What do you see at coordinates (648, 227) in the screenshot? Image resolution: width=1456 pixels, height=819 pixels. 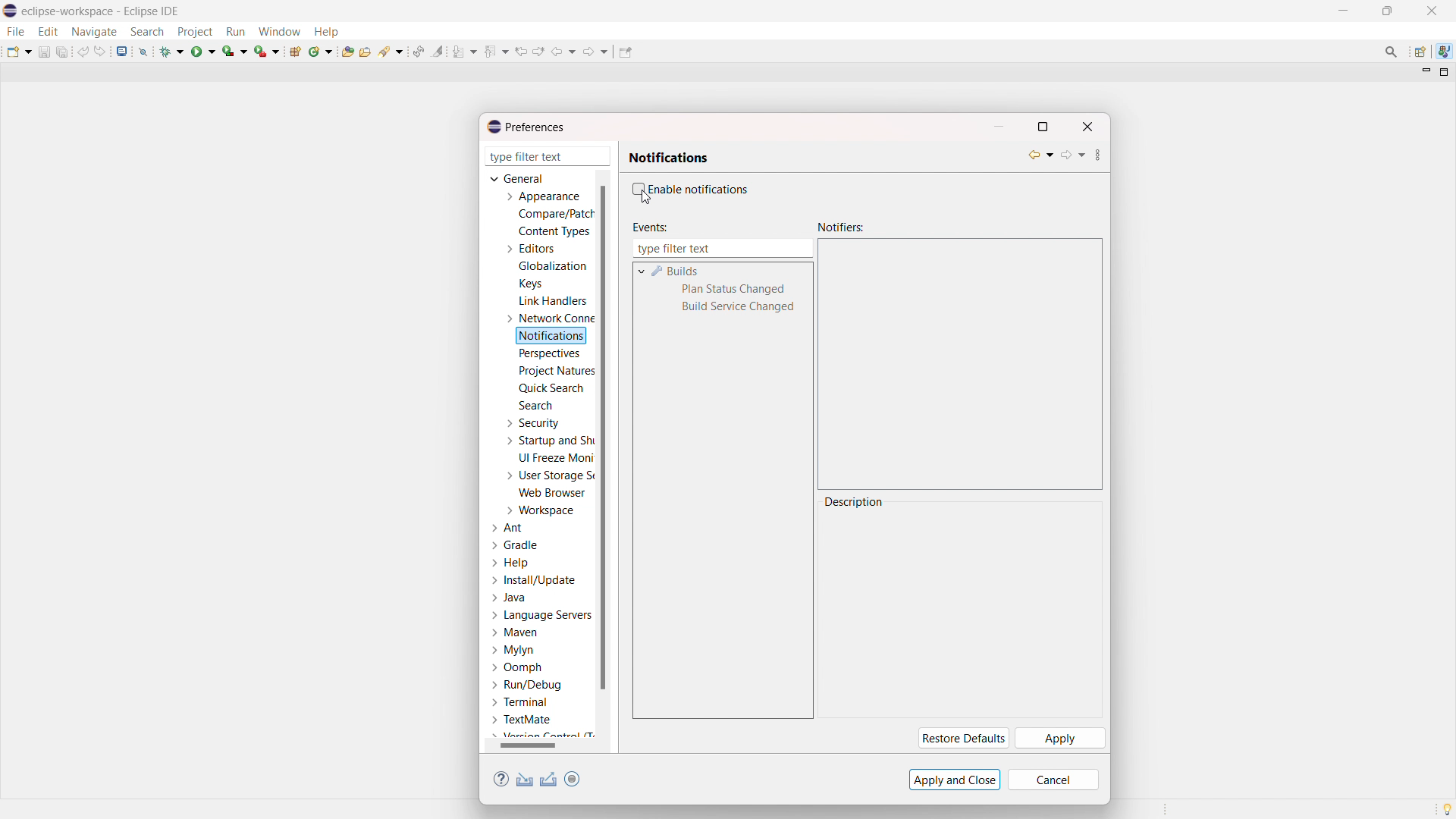 I see `events` at bounding box center [648, 227].